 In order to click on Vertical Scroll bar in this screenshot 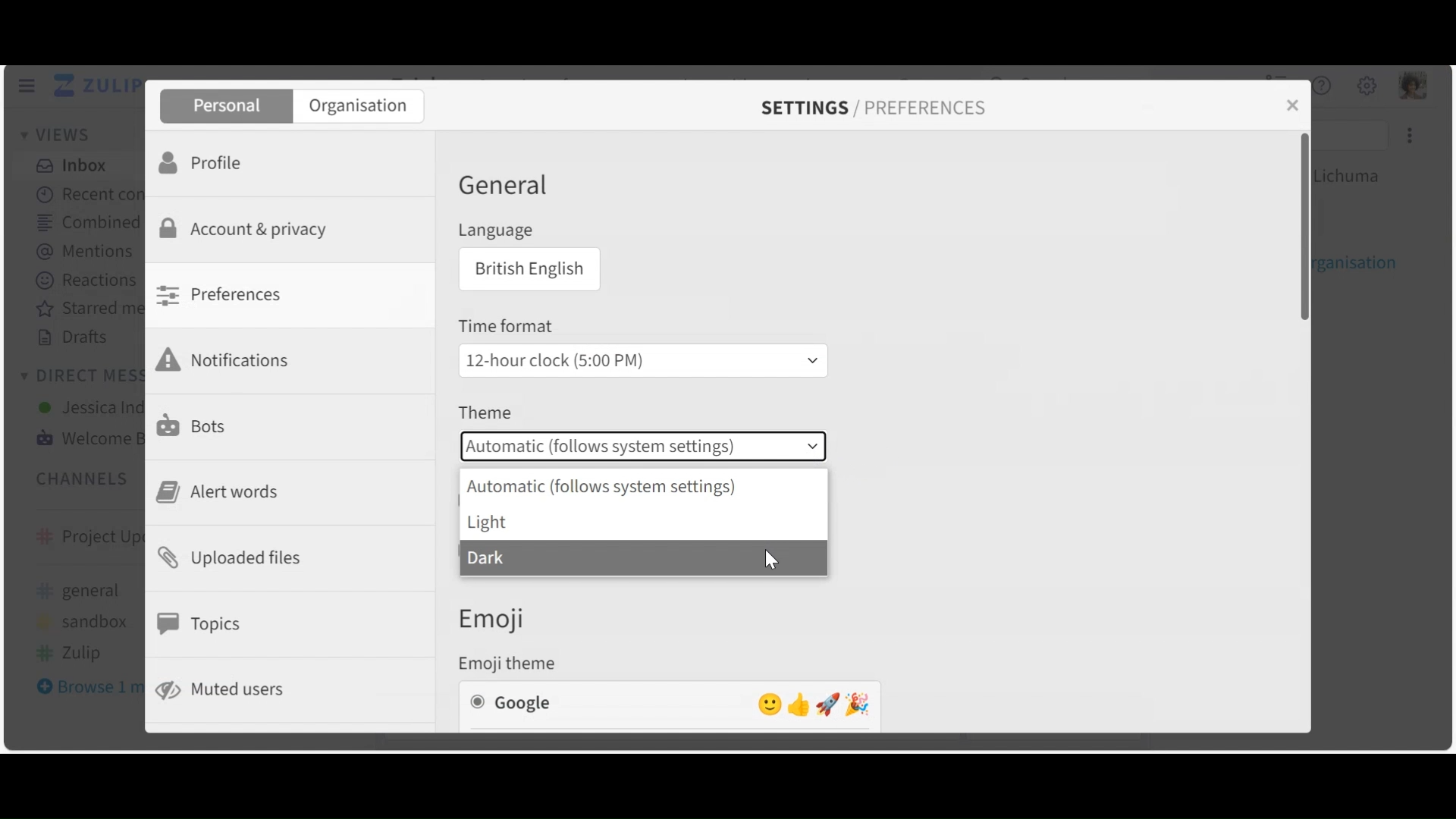, I will do `click(1308, 228)`.